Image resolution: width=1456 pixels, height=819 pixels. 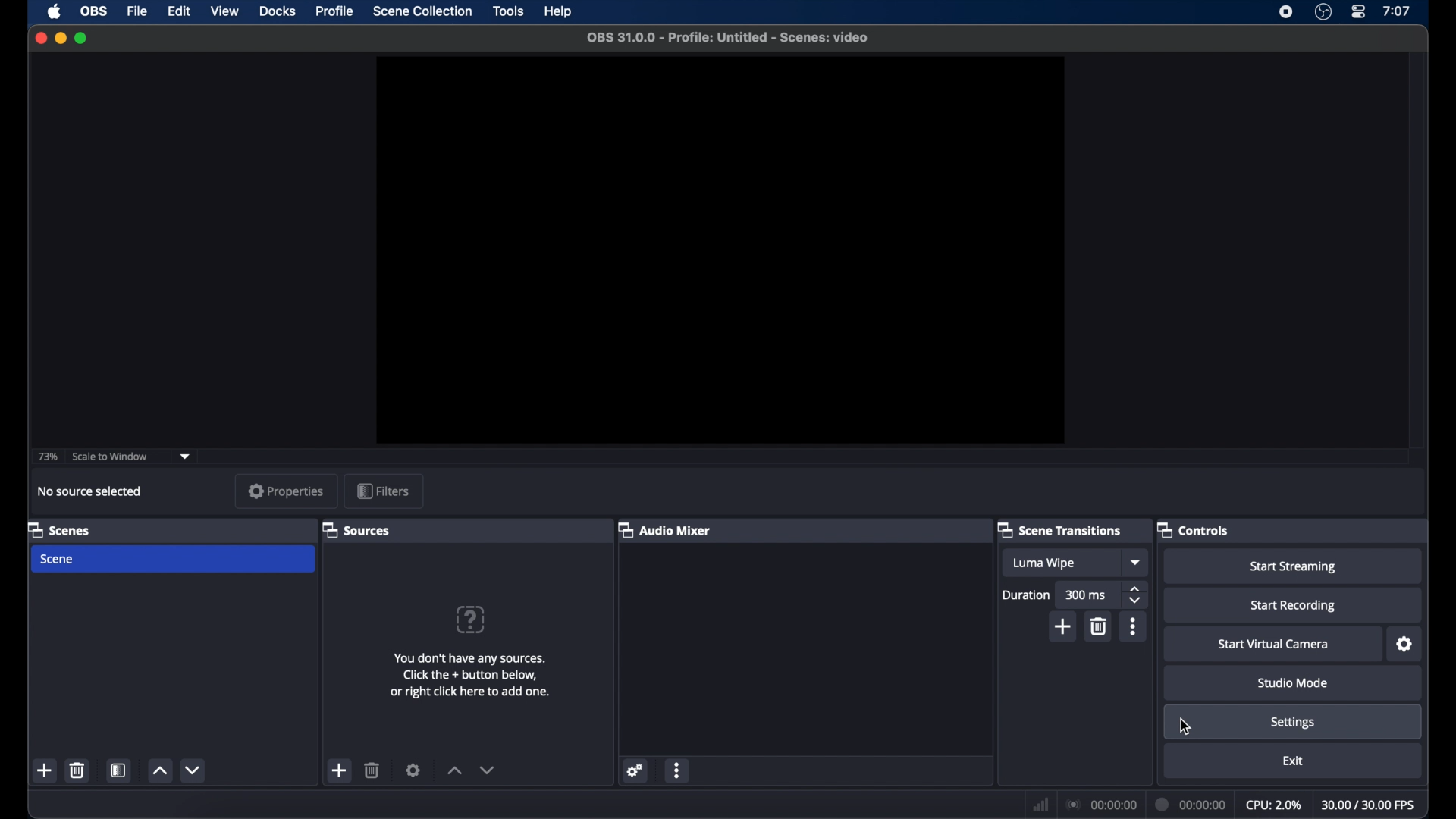 I want to click on scene, so click(x=58, y=560).